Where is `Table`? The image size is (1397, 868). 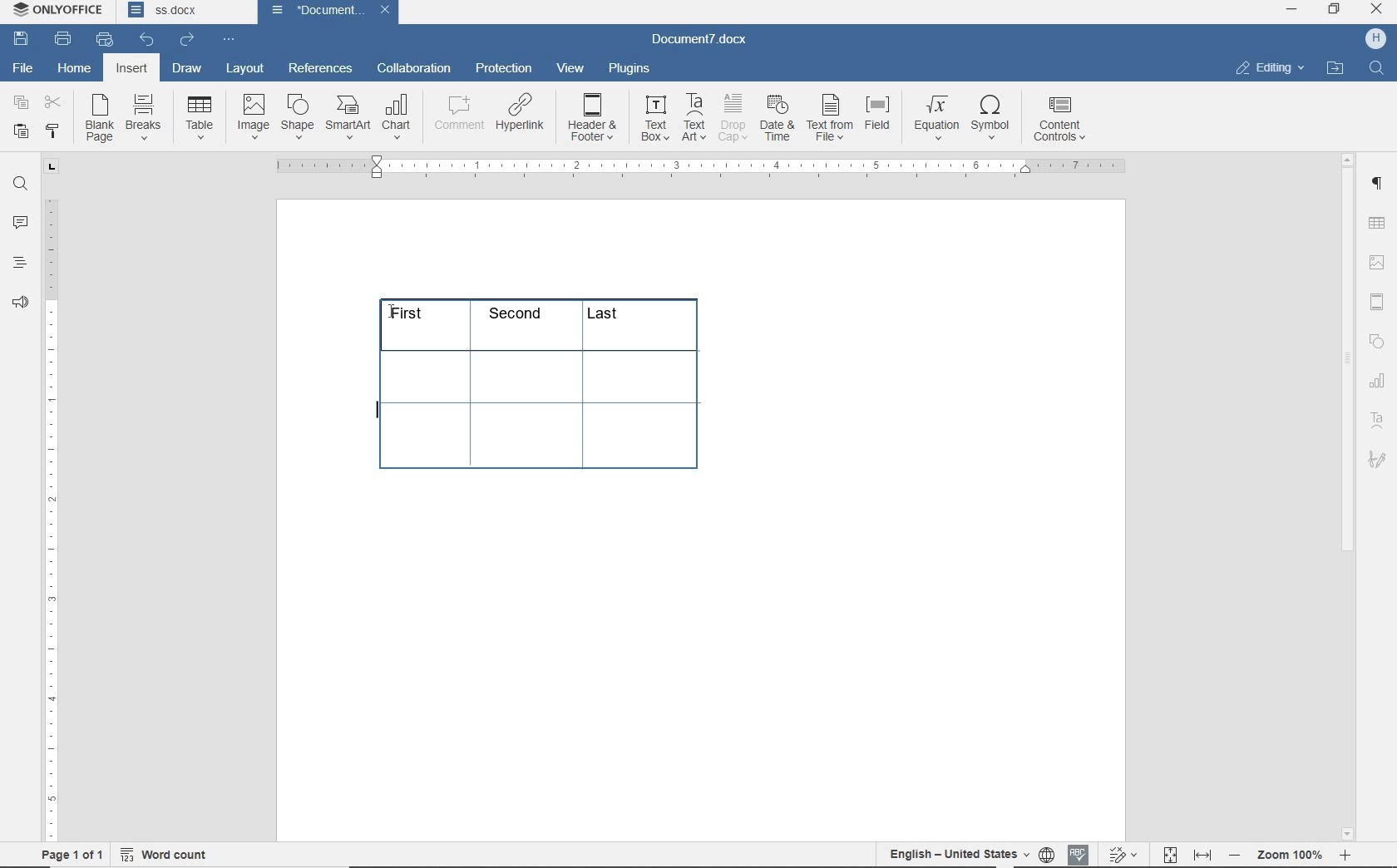
Table is located at coordinates (201, 119).